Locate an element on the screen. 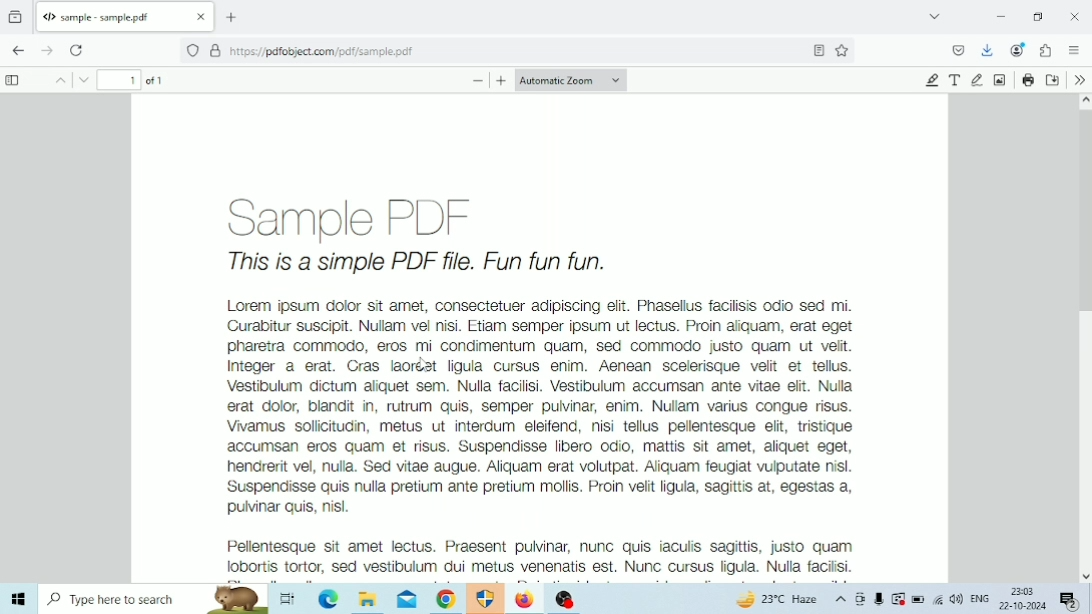  Type here to search is located at coordinates (154, 599).